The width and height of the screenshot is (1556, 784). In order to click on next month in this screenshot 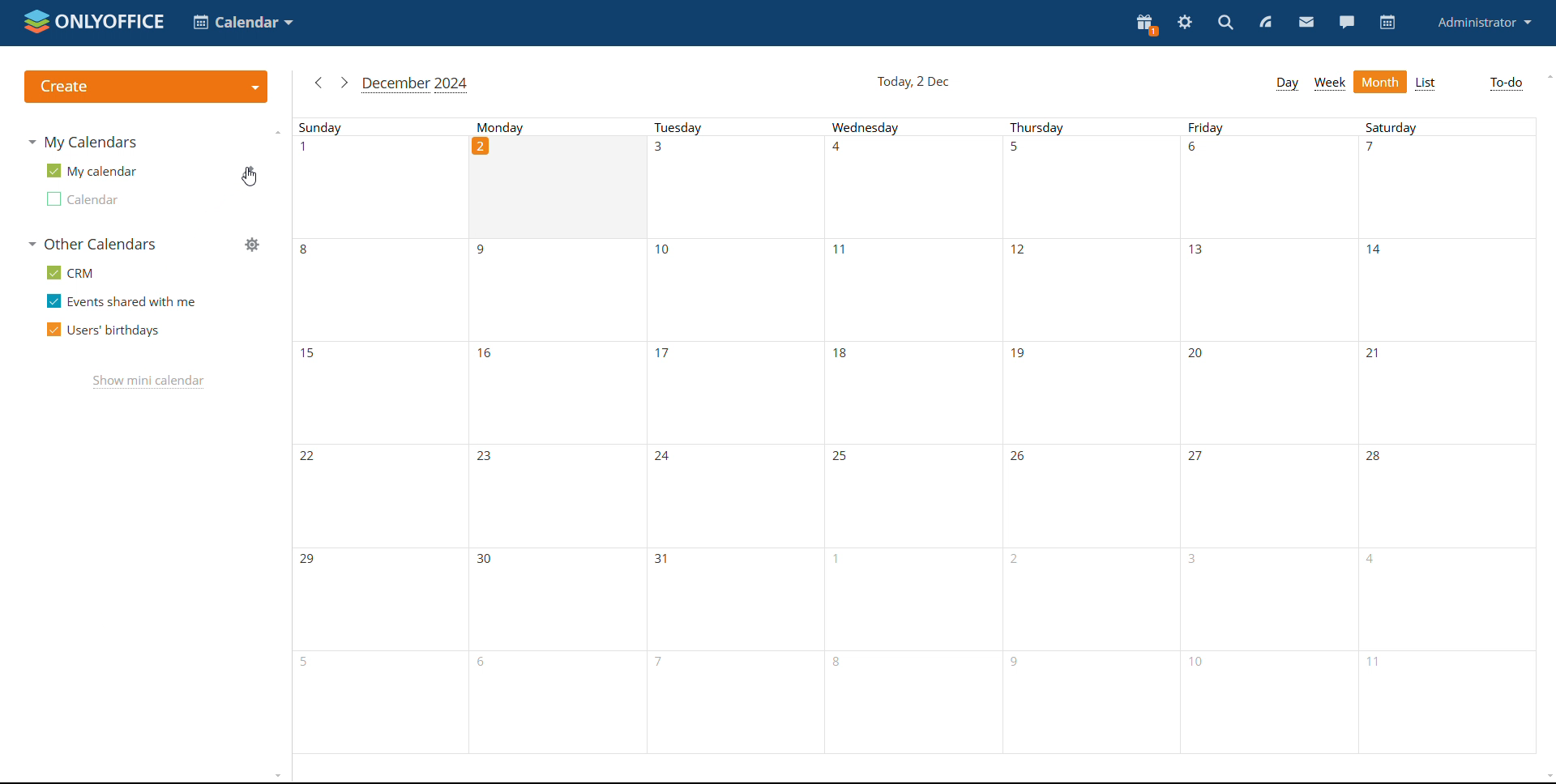, I will do `click(344, 83)`.